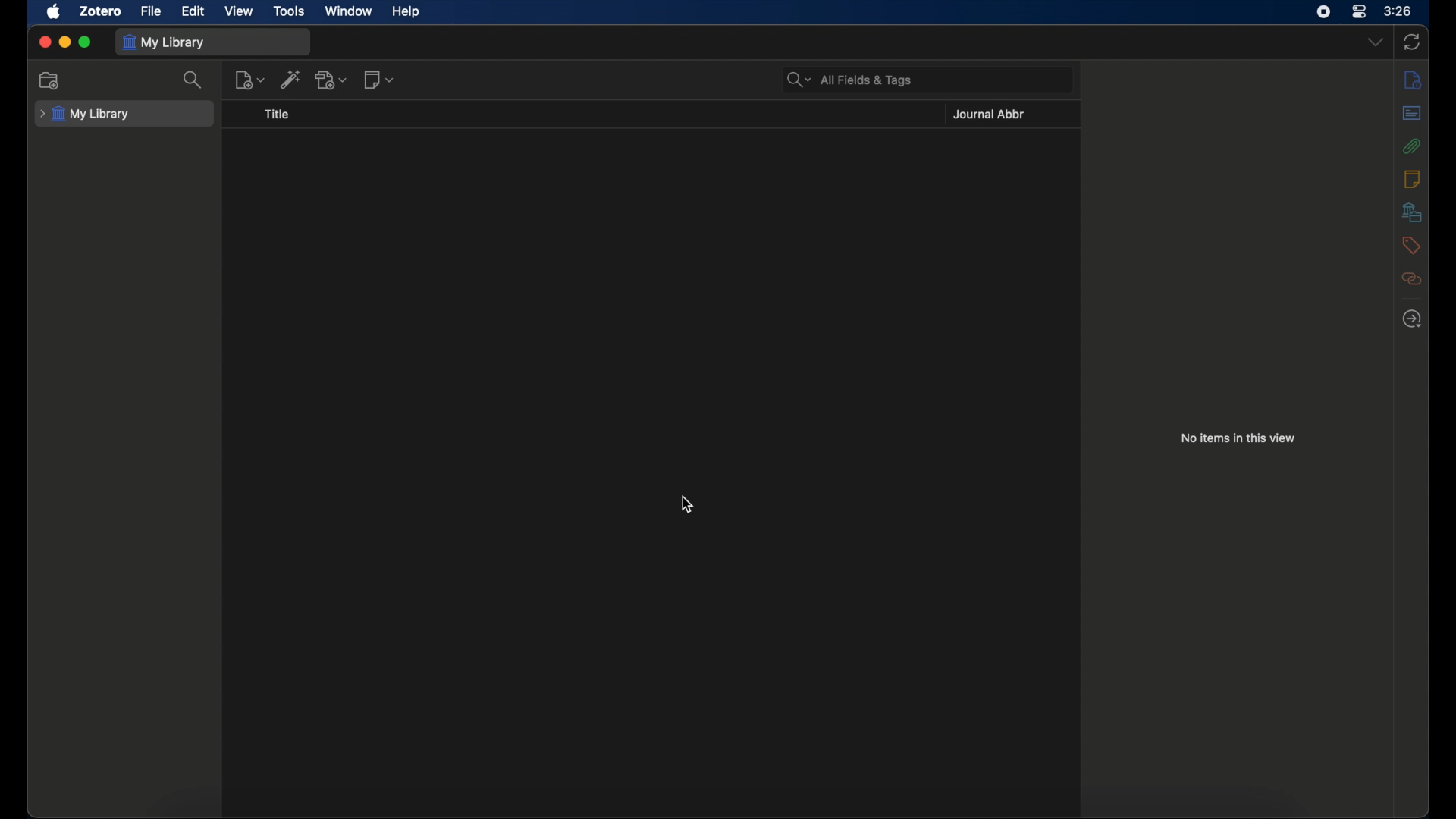  Describe the element at coordinates (849, 80) in the screenshot. I see `all fields & tags` at that location.